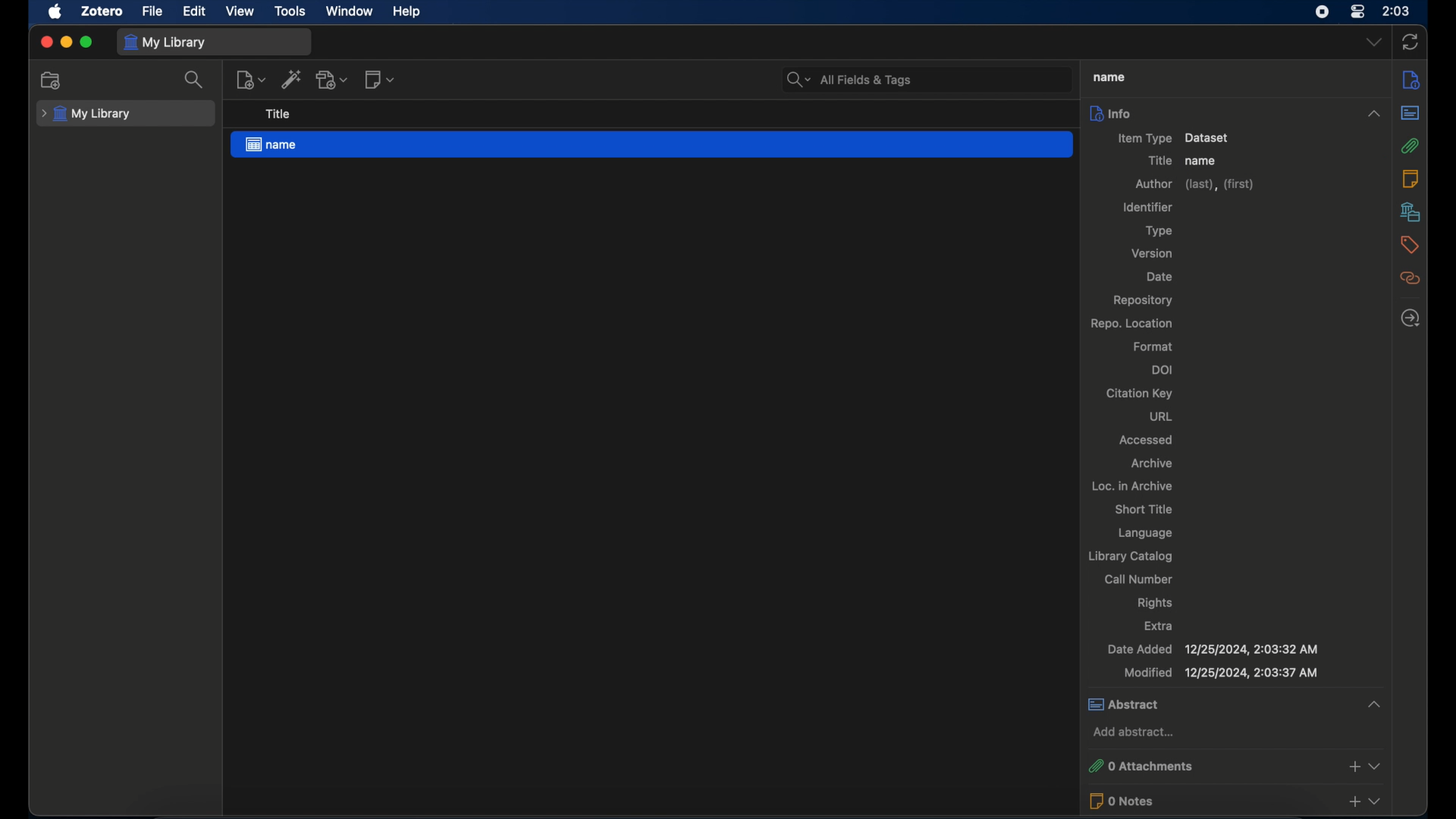 The image size is (1456, 819). What do you see at coordinates (1221, 673) in the screenshot?
I see `modified` at bounding box center [1221, 673].